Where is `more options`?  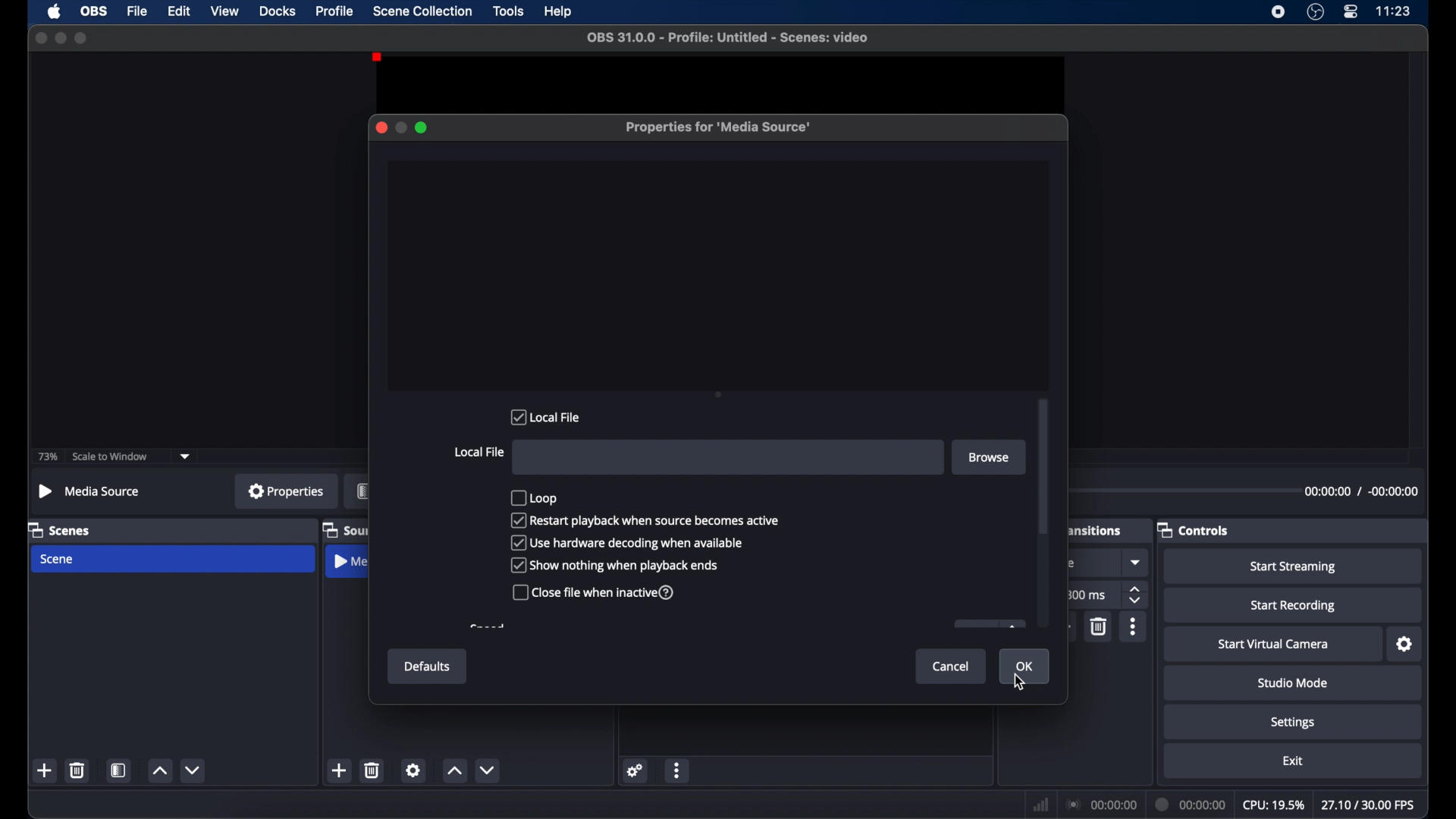
more options is located at coordinates (1133, 626).